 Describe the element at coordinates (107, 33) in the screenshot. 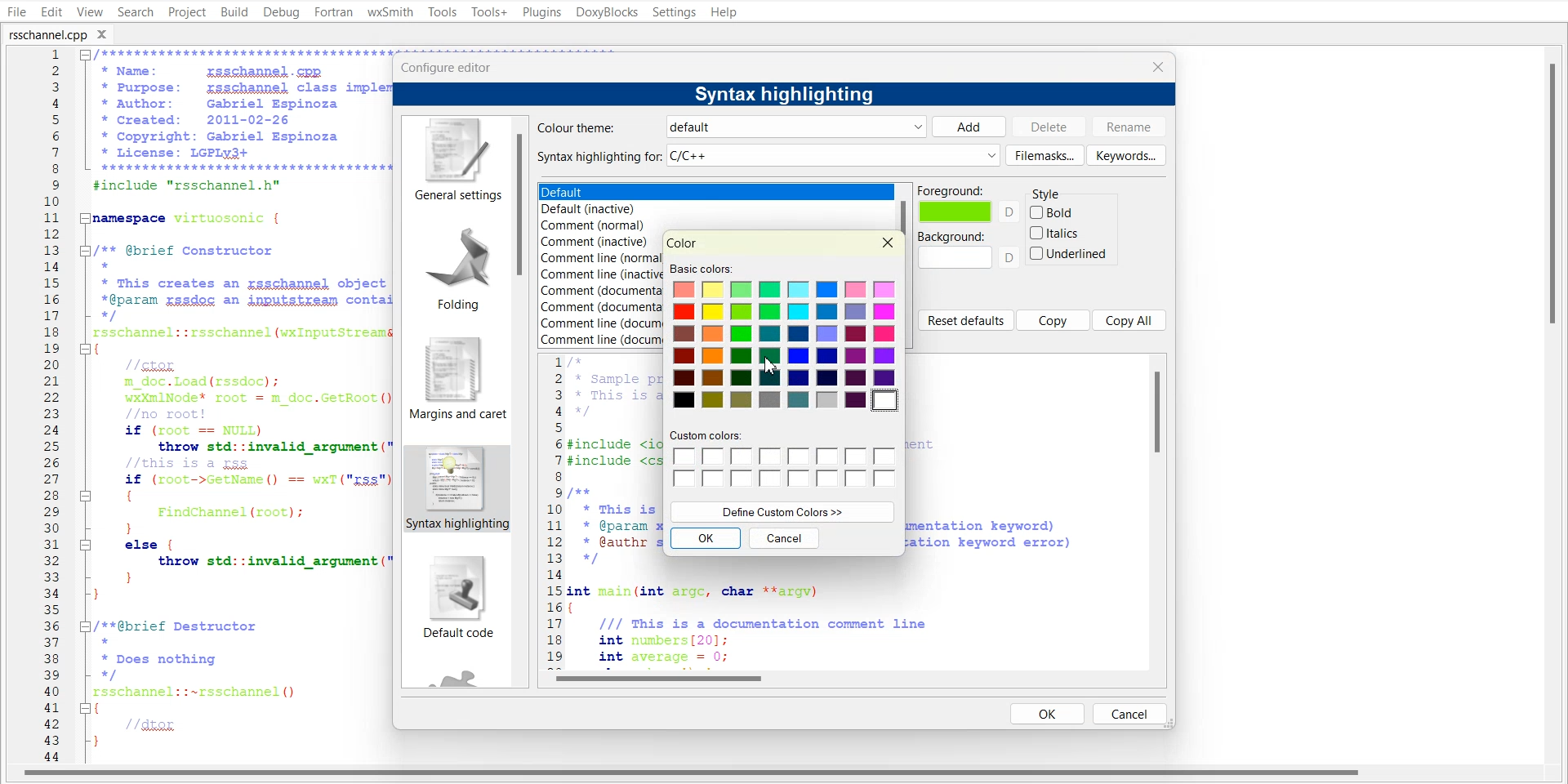

I see `Close` at that location.